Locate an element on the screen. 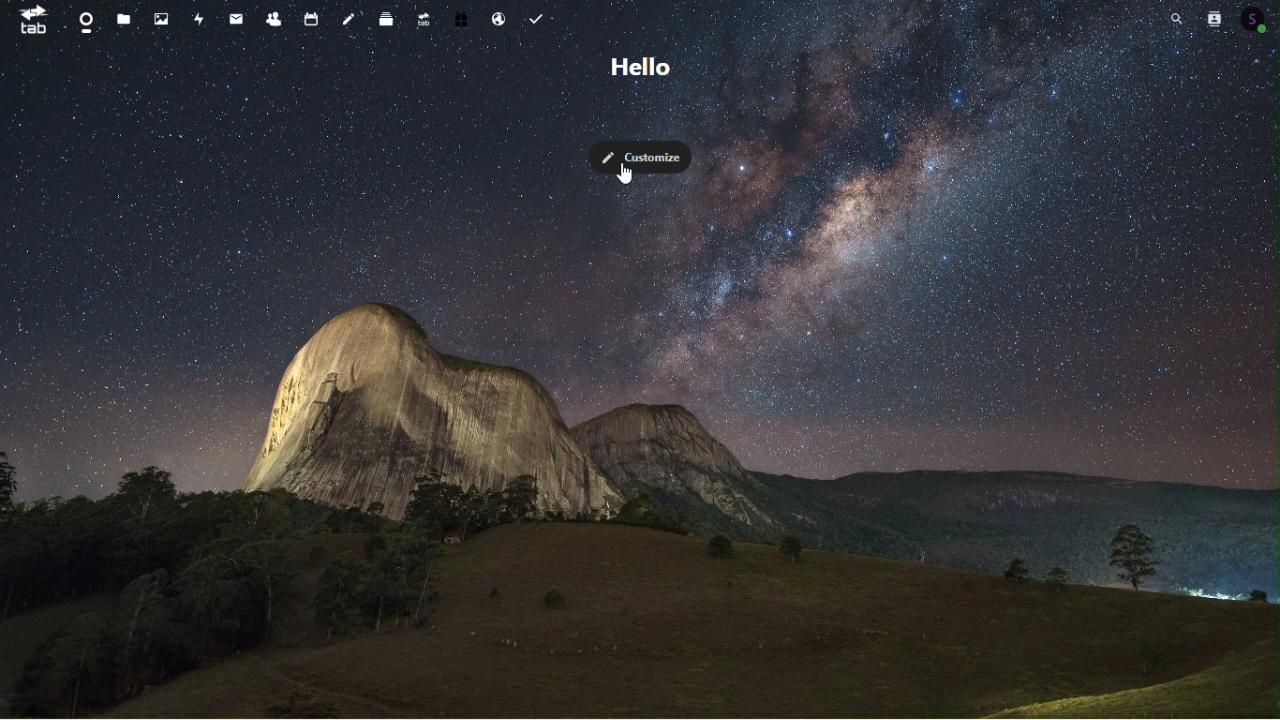 This screenshot has height=720, width=1280. Dashboard is located at coordinates (86, 19).